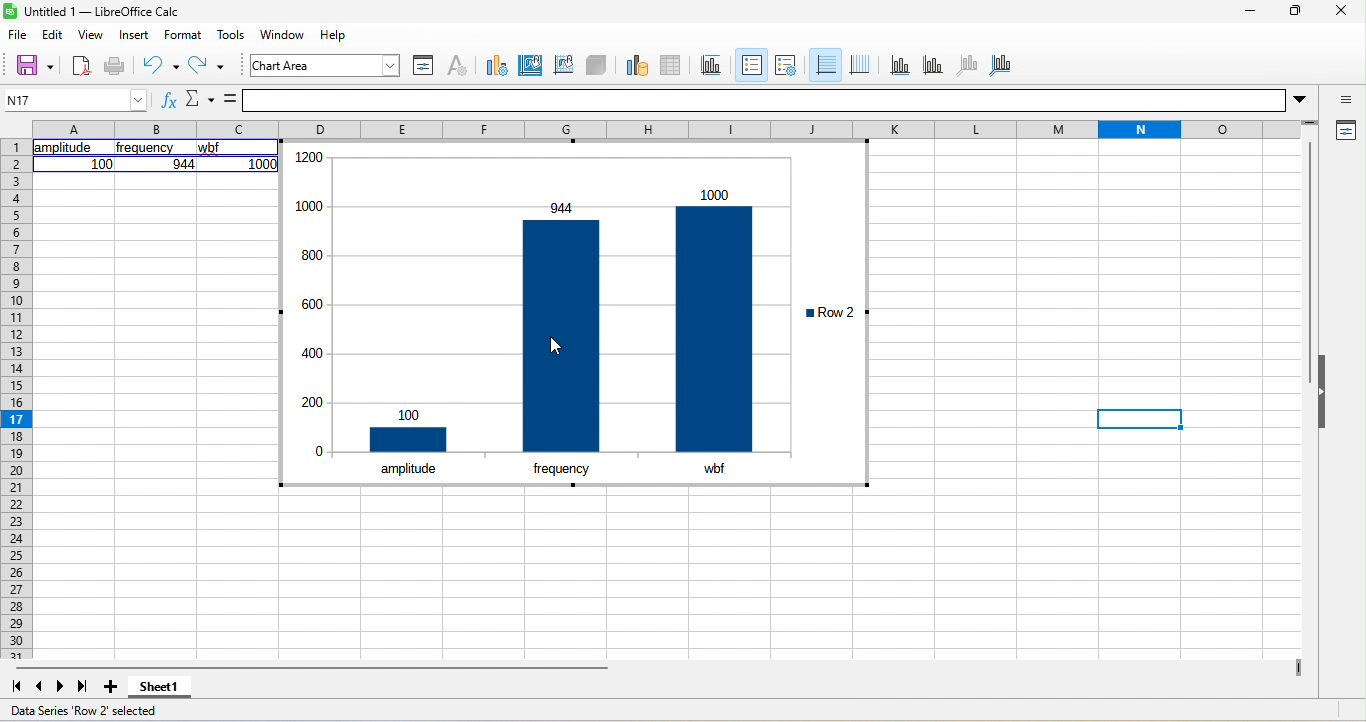  Describe the element at coordinates (637, 67) in the screenshot. I see `data range` at that location.